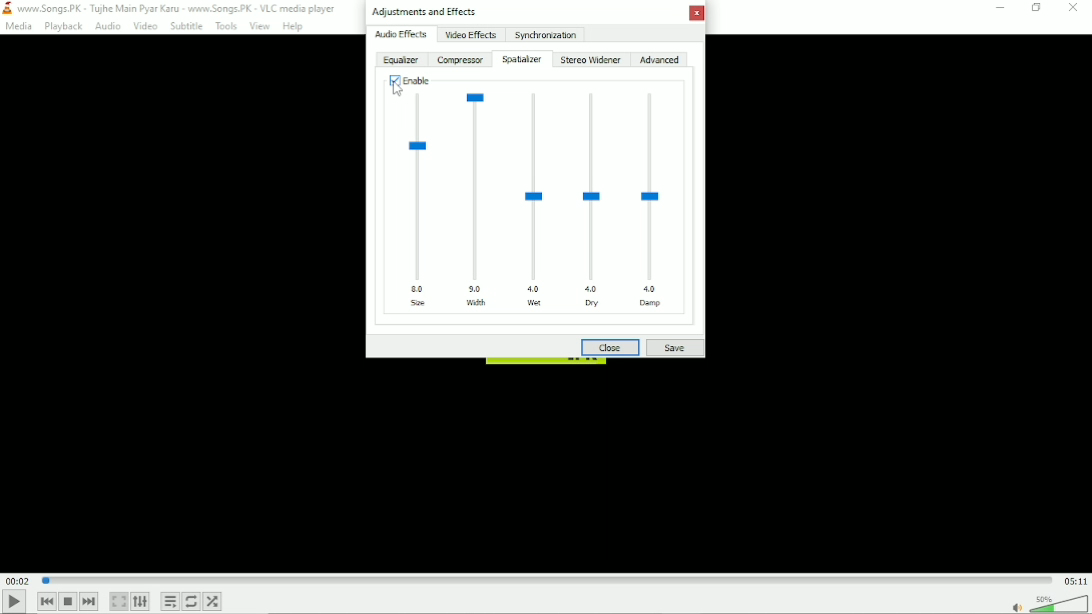 The height and width of the screenshot is (614, 1092). I want to click on Wet, so click(535, 197).